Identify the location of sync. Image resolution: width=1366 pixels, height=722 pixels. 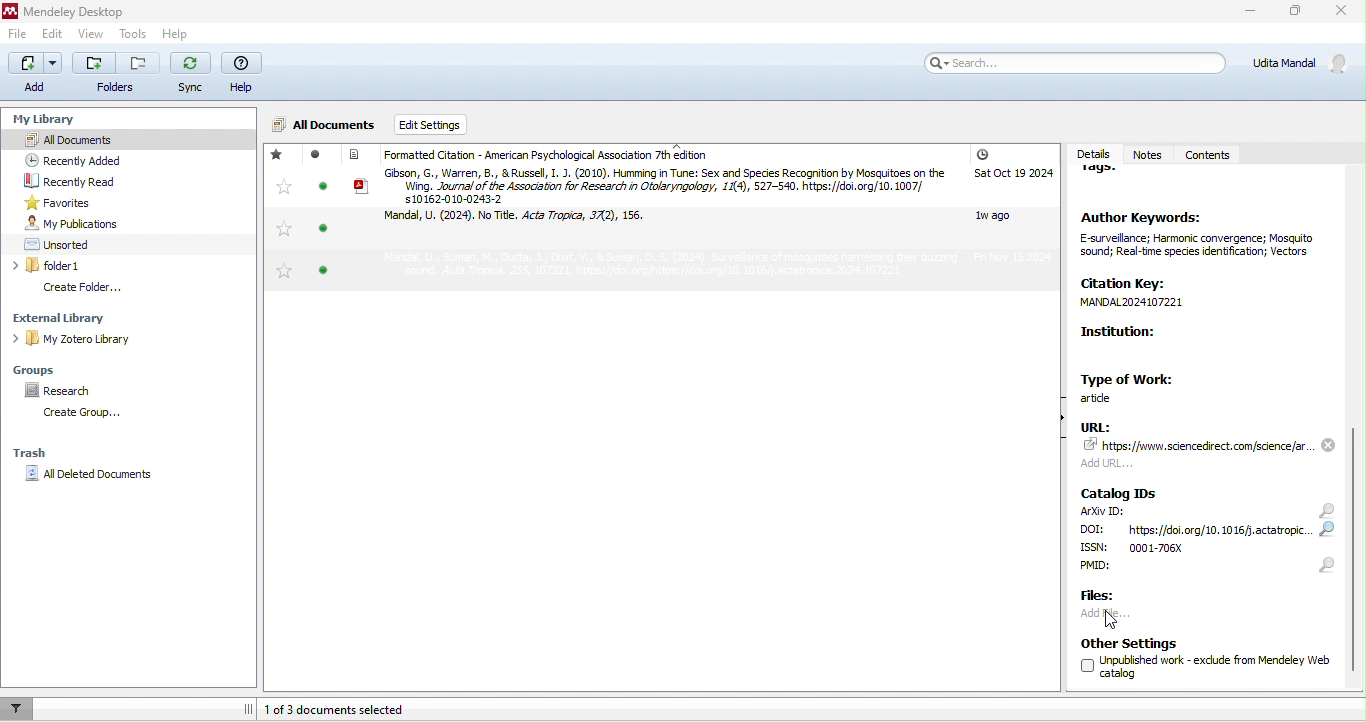
(191, 75).